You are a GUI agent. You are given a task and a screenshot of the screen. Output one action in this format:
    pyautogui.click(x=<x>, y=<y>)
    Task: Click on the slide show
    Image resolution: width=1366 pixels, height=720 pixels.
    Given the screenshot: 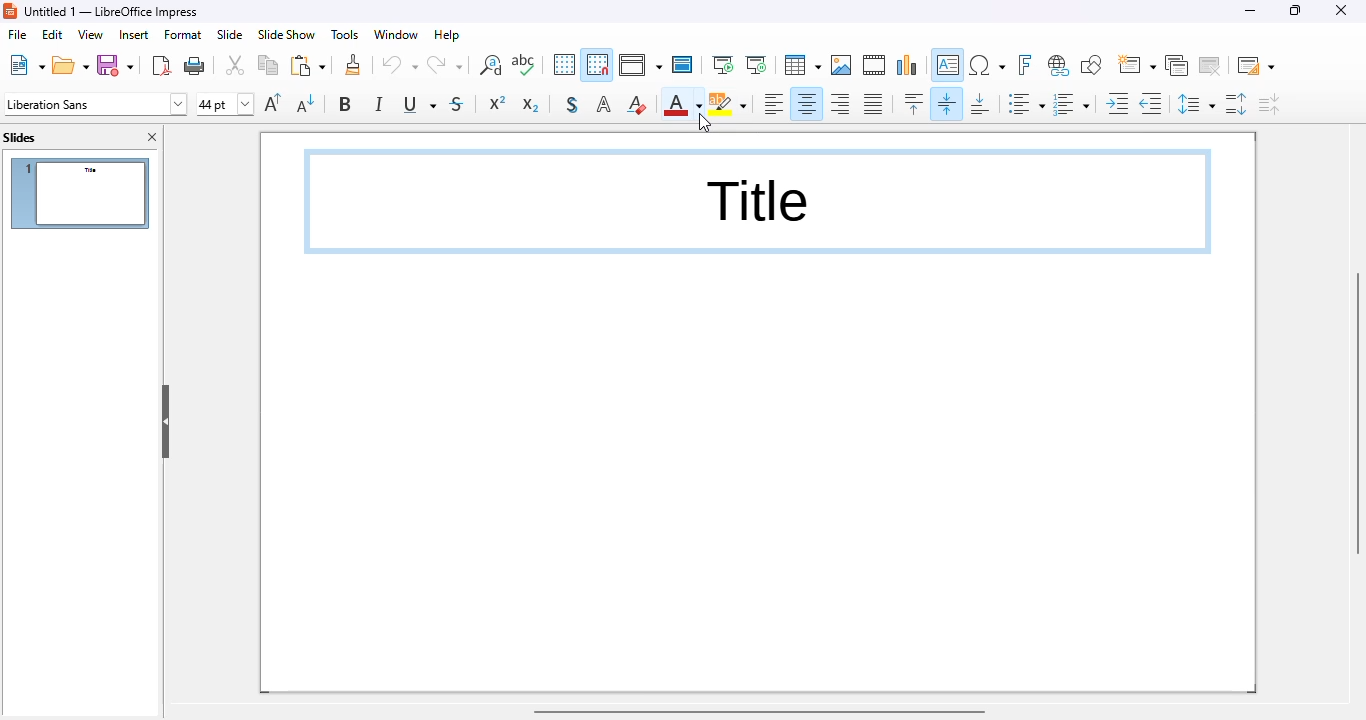 What is the action you would take?
    pyautogui.click(x=288, y=34)
    